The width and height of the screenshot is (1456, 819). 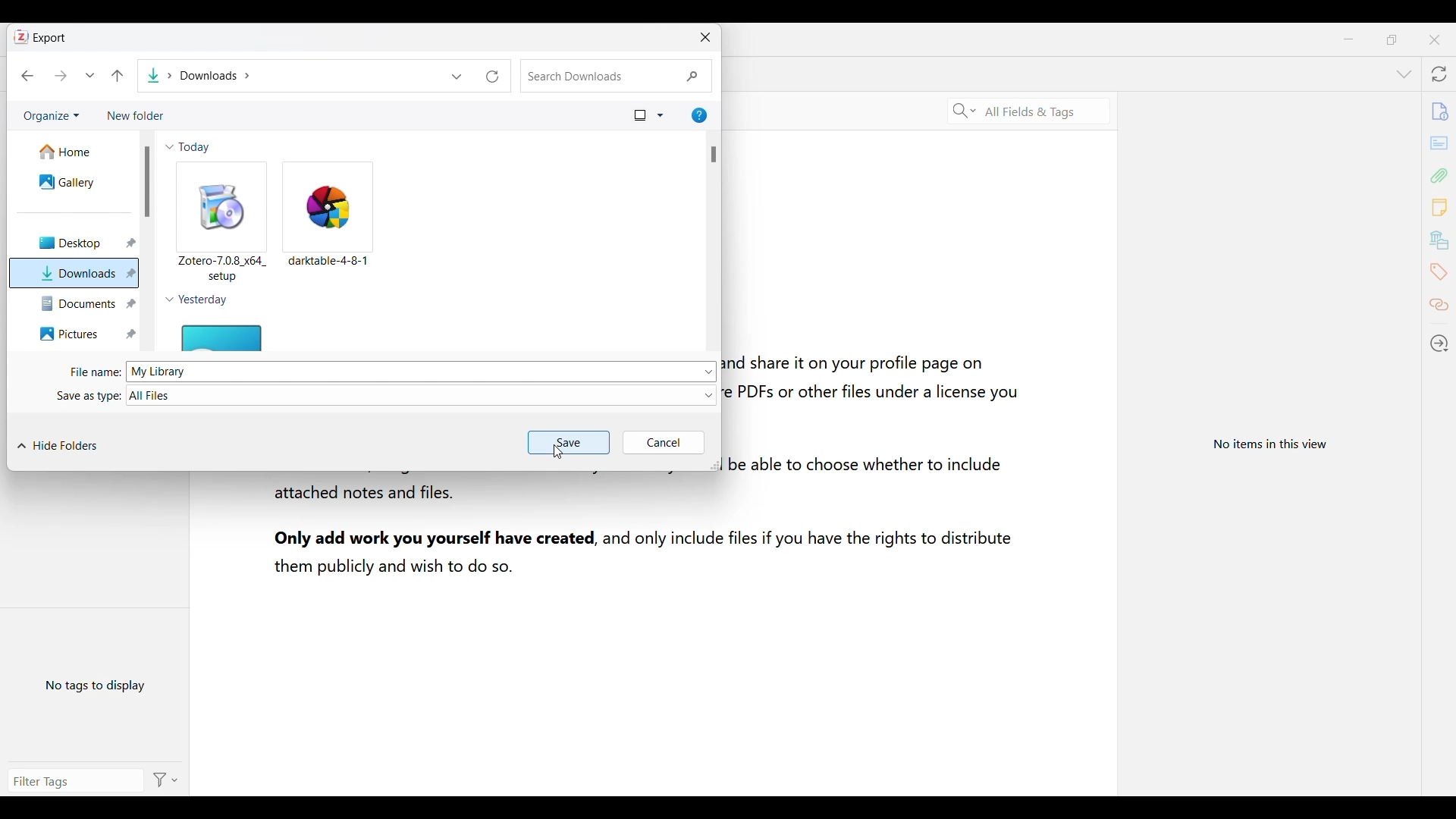 What do you see at coordinates (711, 244) in the screenshot?
I see `Scrollbar` at bounding box center [711, 244].